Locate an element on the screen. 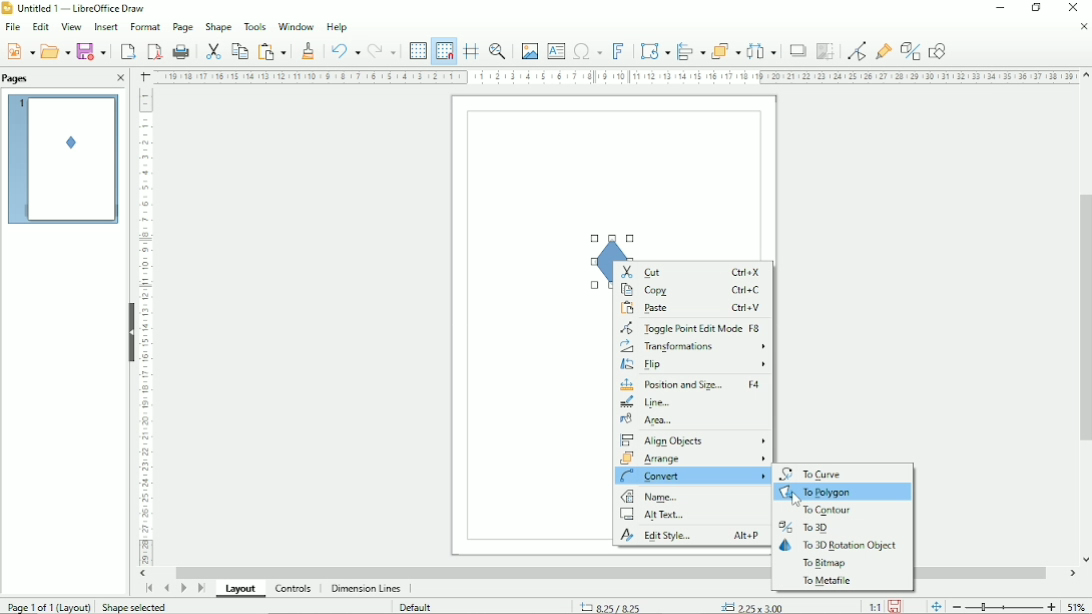  Format is located at coordinates (143, 27).